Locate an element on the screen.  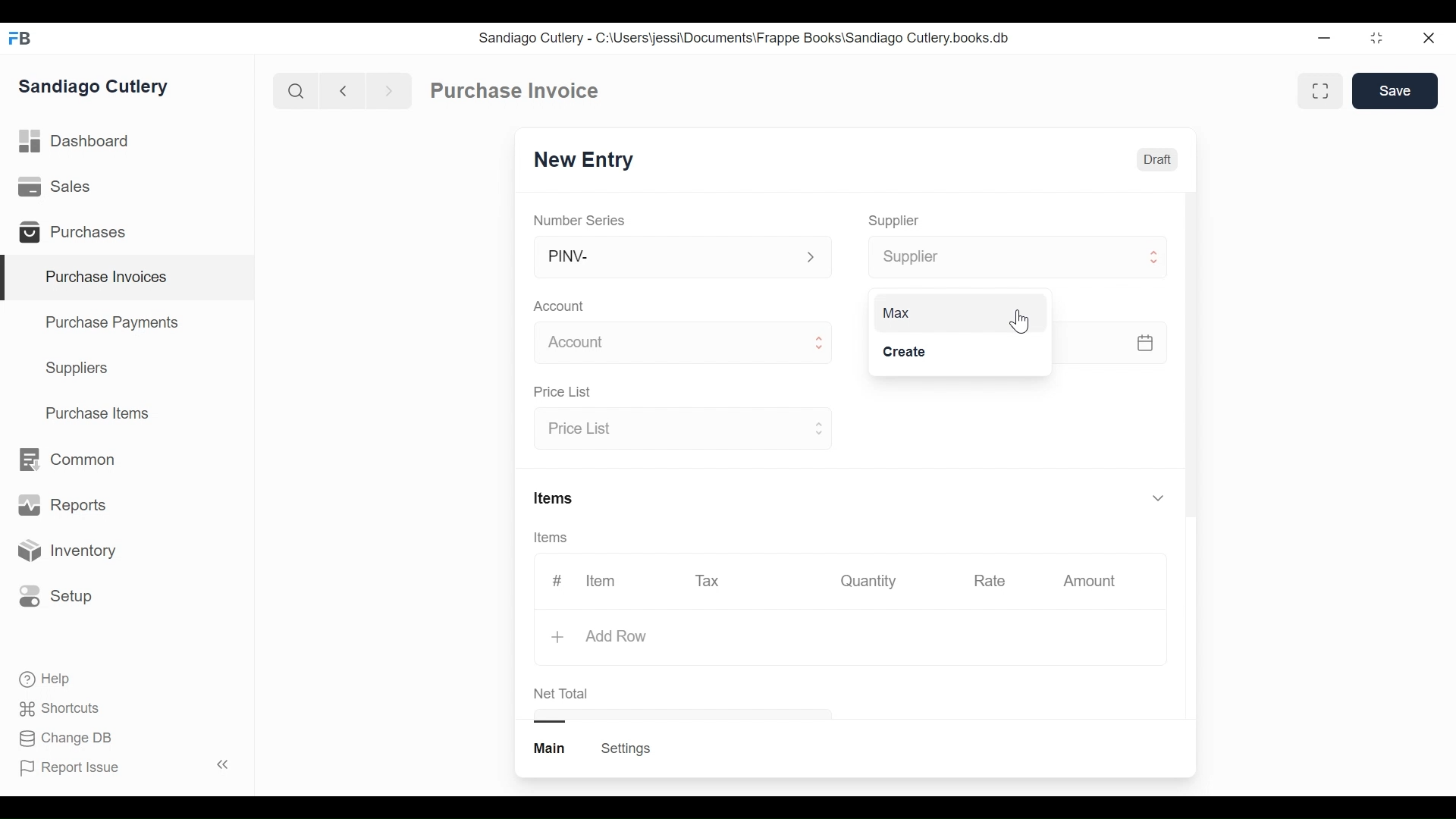
Rate is located at coordinates (988, 581).